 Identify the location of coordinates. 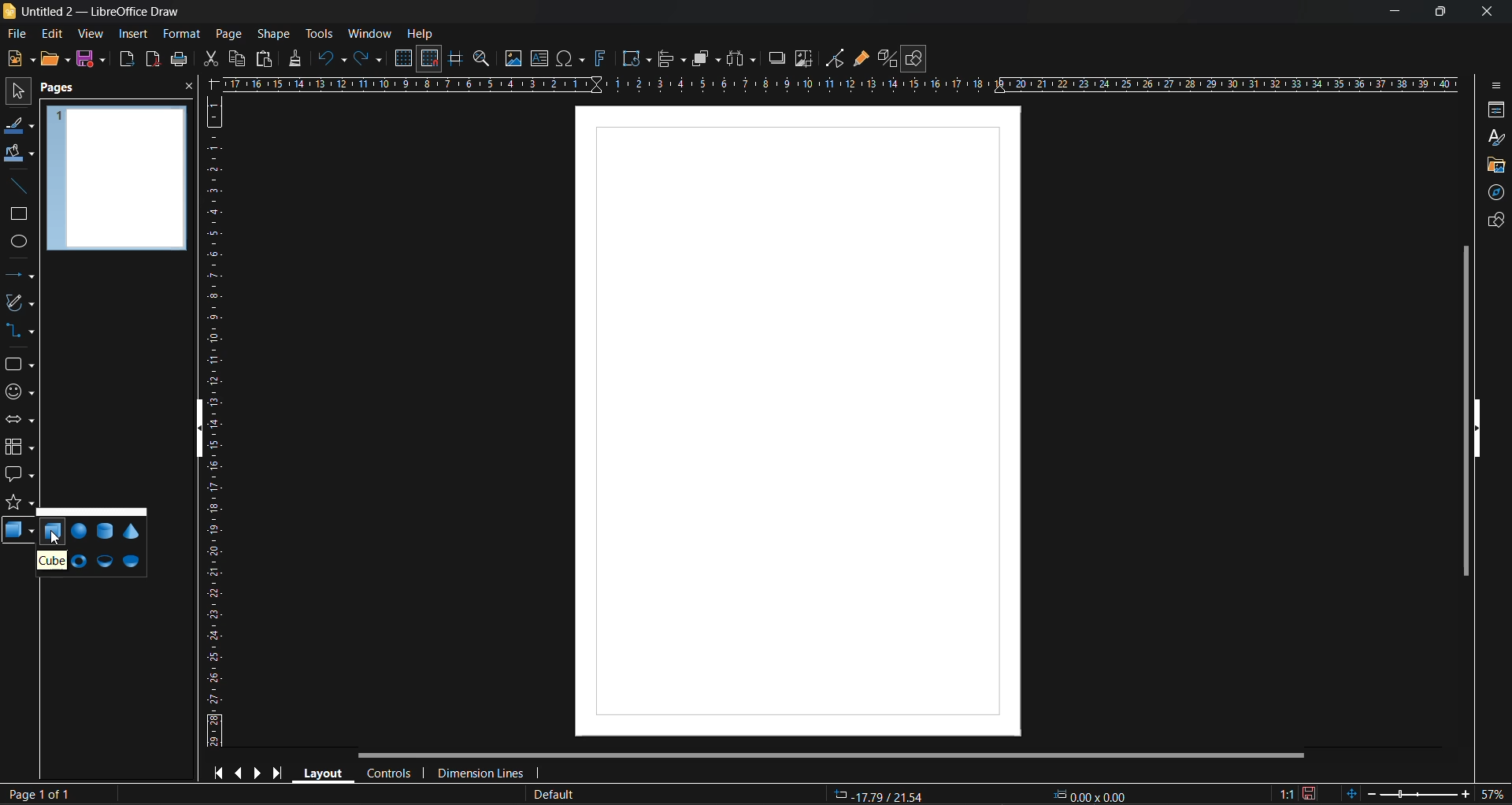
(988, 794).